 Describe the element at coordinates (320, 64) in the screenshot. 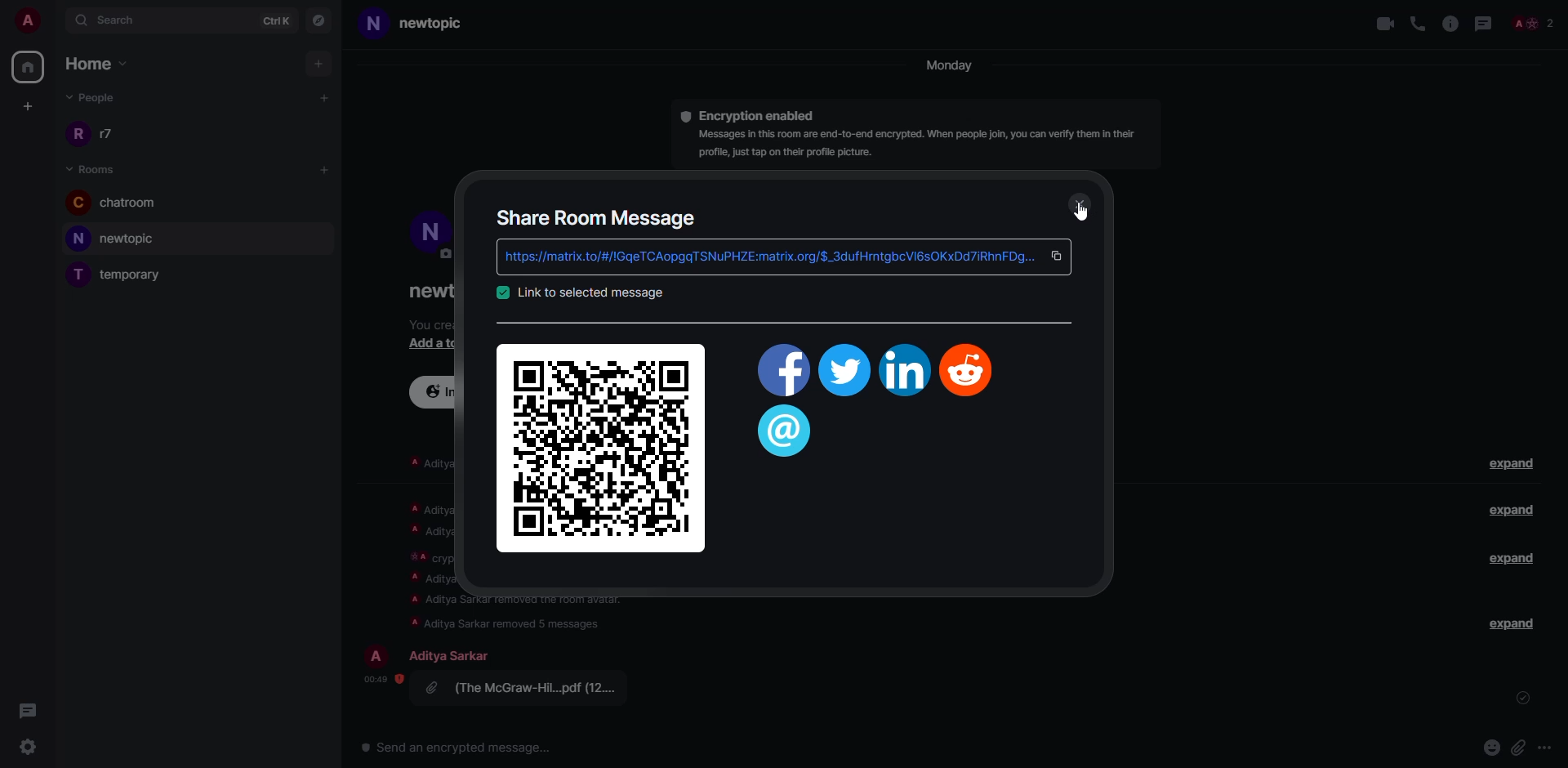

I see `add` at that location.